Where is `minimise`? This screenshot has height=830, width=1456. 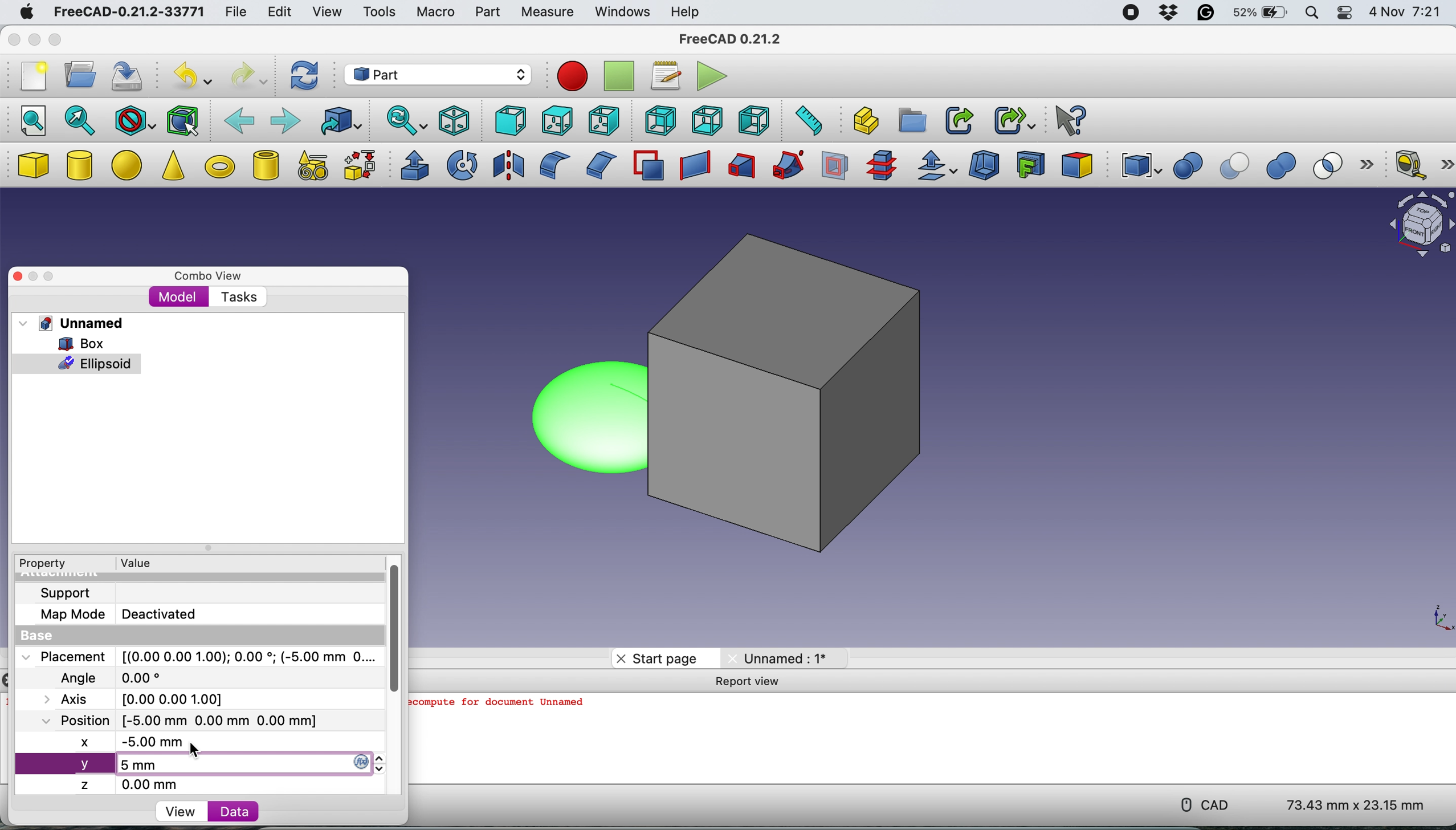 minimise is located at coordinates (32, 40).